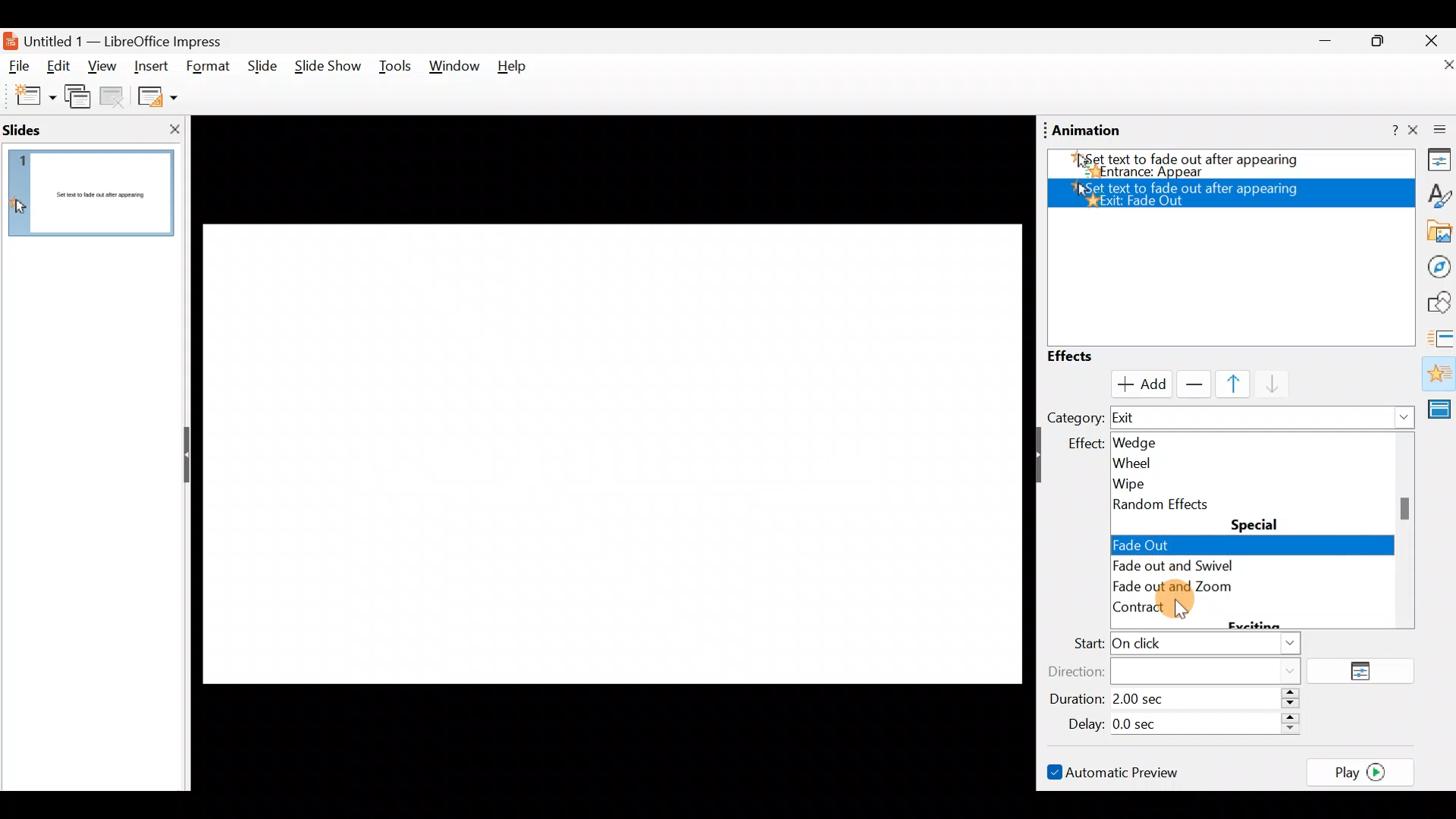  What do you see at coordinates (209, 67) in the screenshot?
I see `Format` at bounding box center [209, 67].